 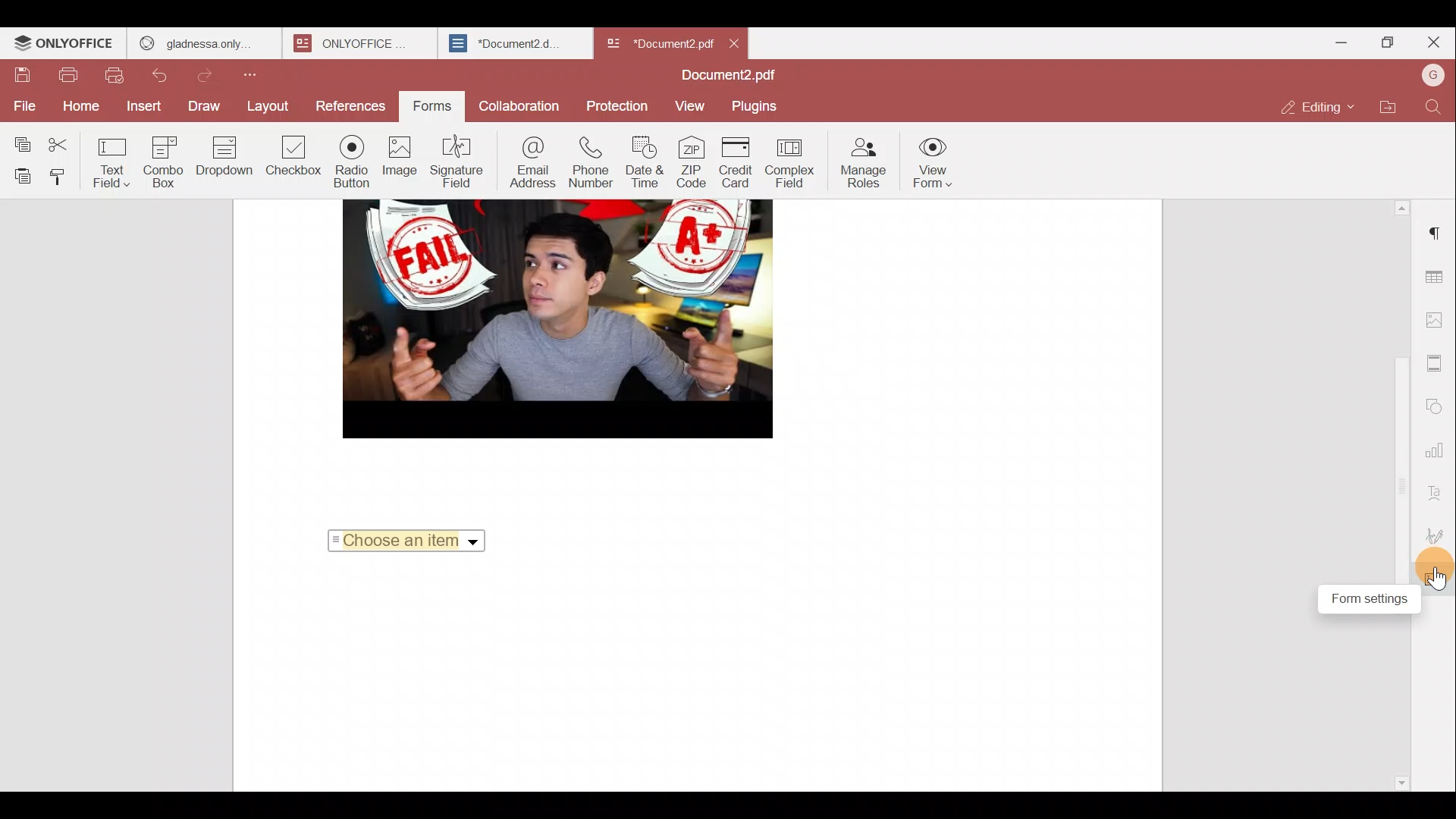 What do you see at coordinates (267, 108) in the screenshot?
I see `Layout` at bounding box center [267, 108].